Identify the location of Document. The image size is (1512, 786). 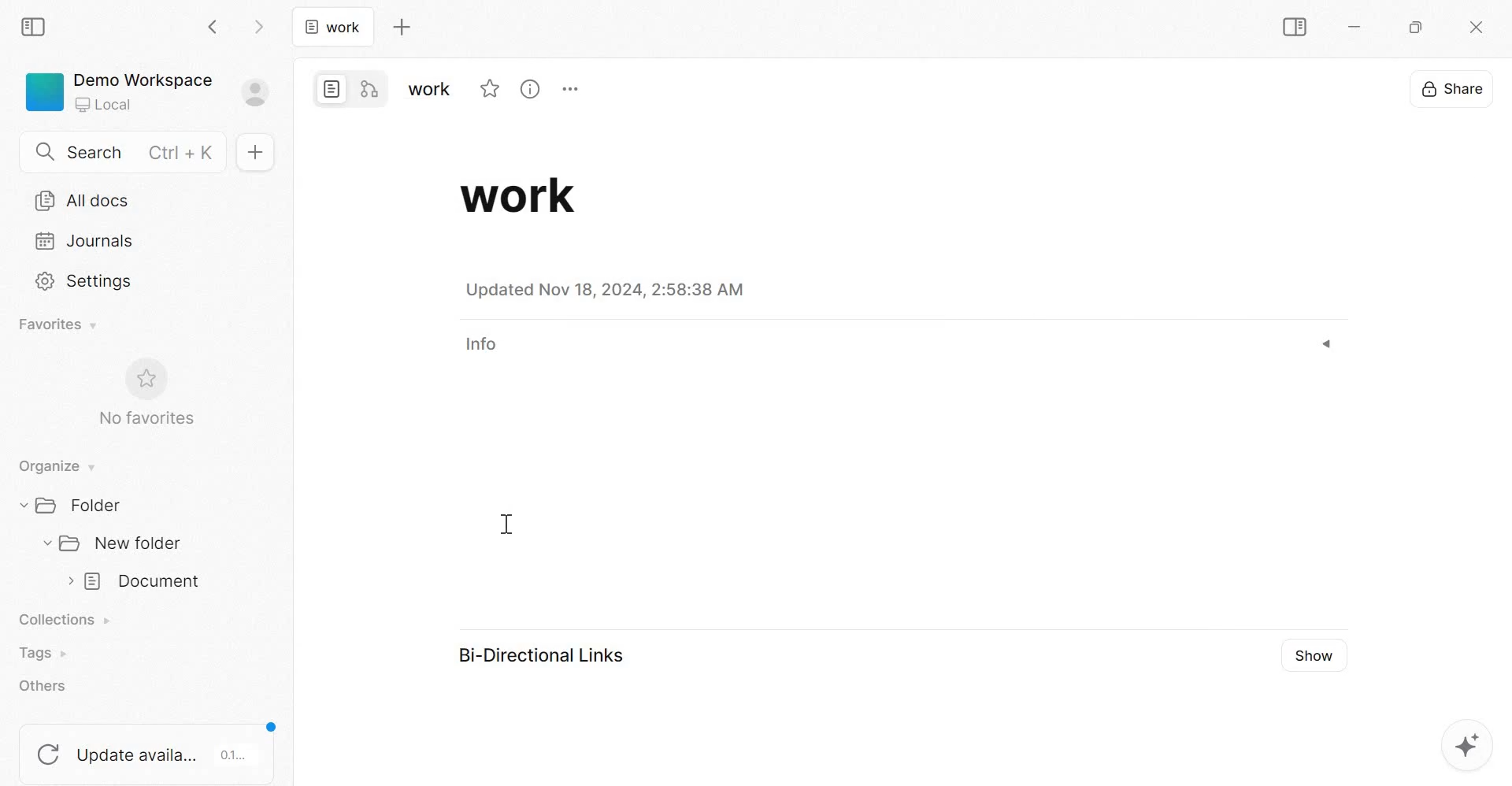
(134, 582).